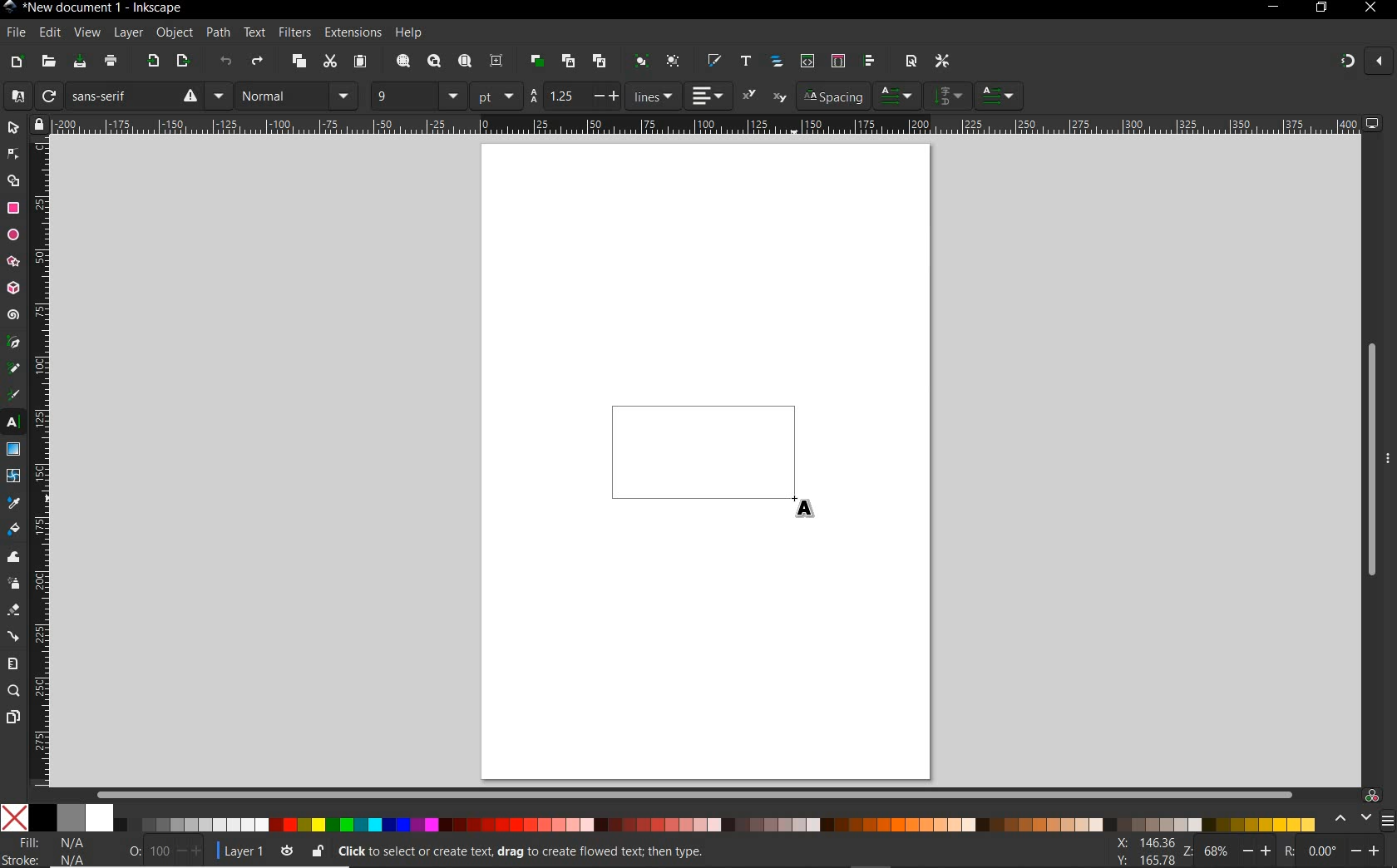 This screenshot has width=1397, height=868. Describe the element at coordinates (598, 62) in the screenshot. I see `unlink clone` at that location.